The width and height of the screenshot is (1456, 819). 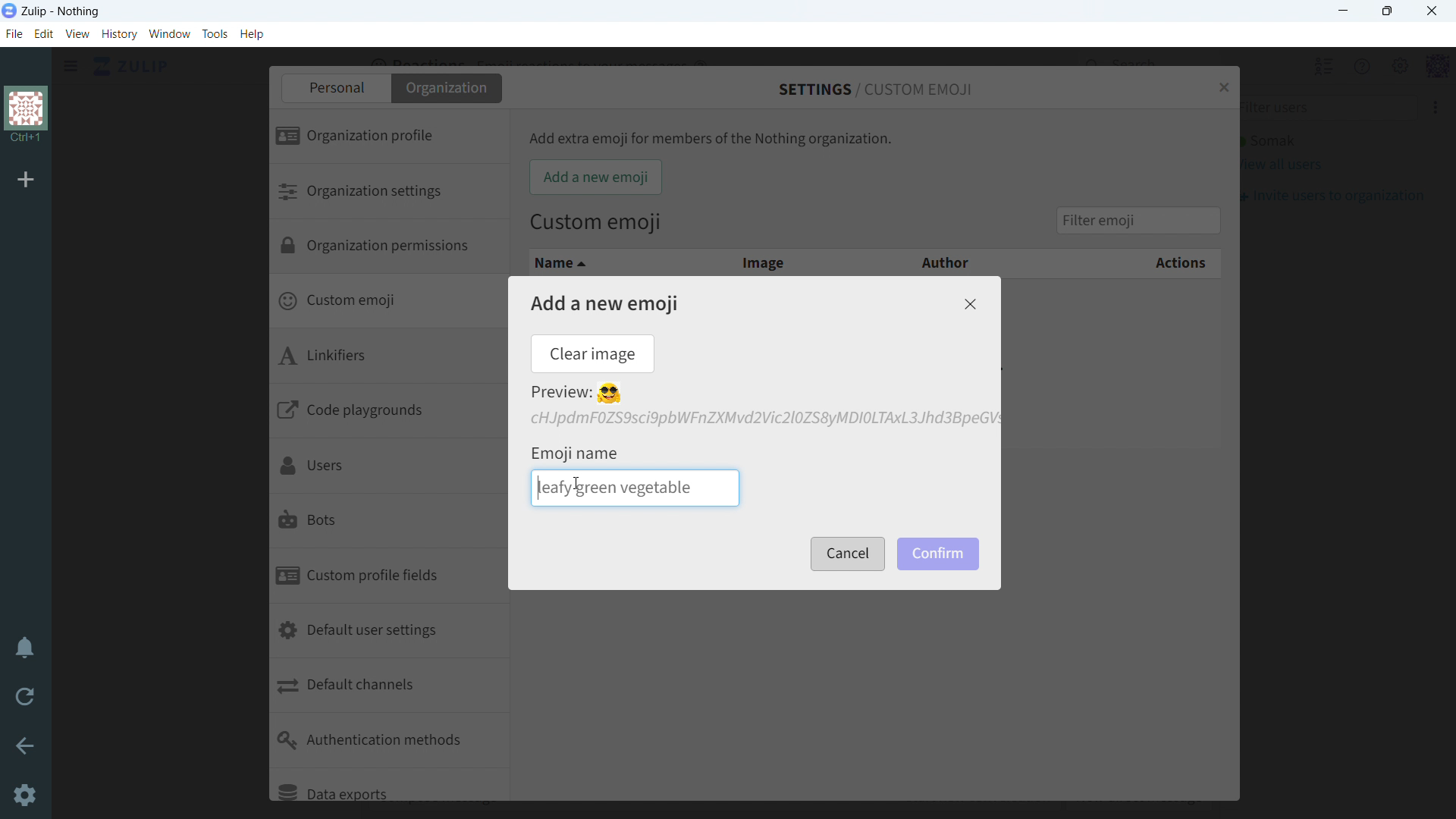 I want to click on close, so click(x=1431, y=11).